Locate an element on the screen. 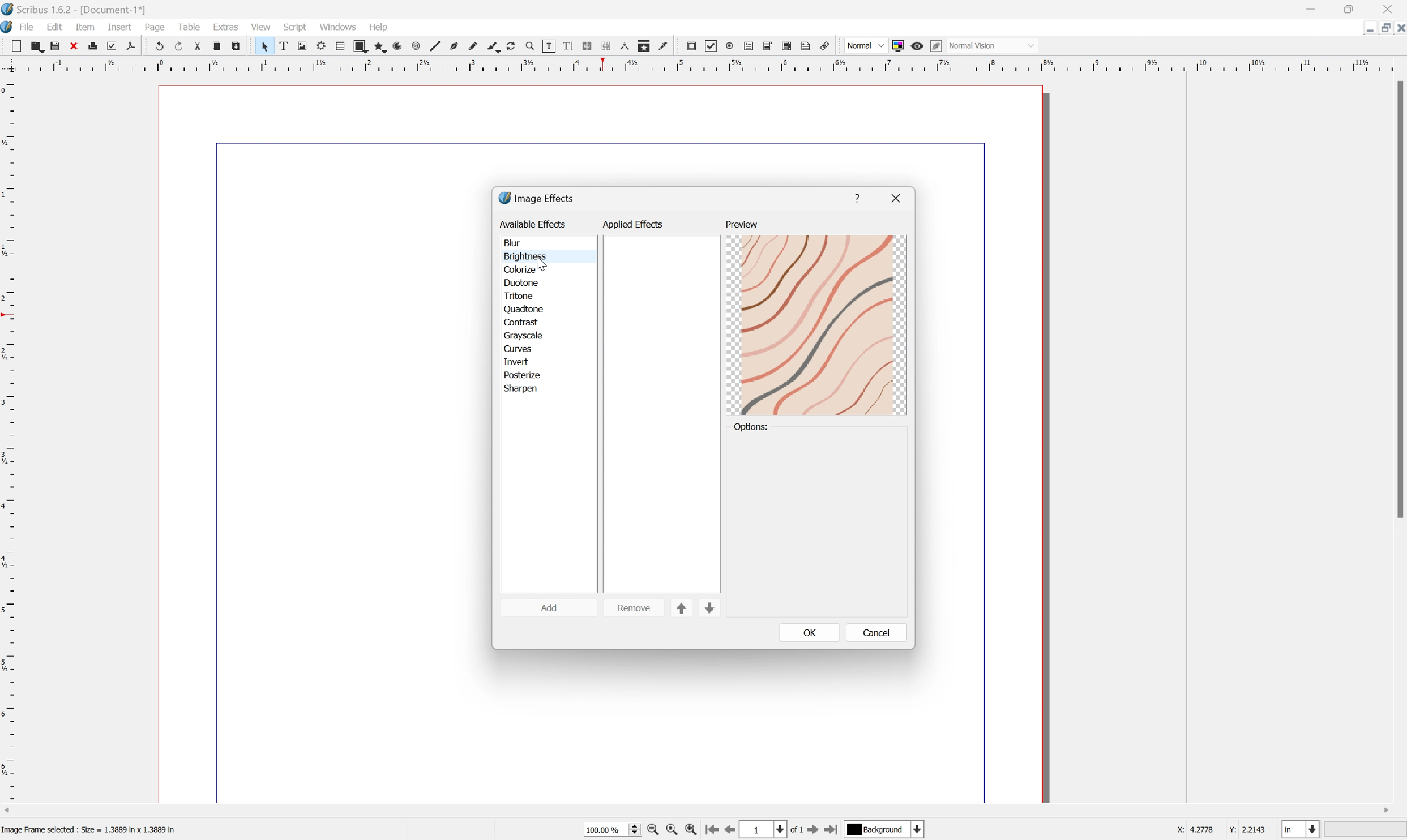 This screenshot has width=1407, height=840. Paste is located at coordinates (237, 44).